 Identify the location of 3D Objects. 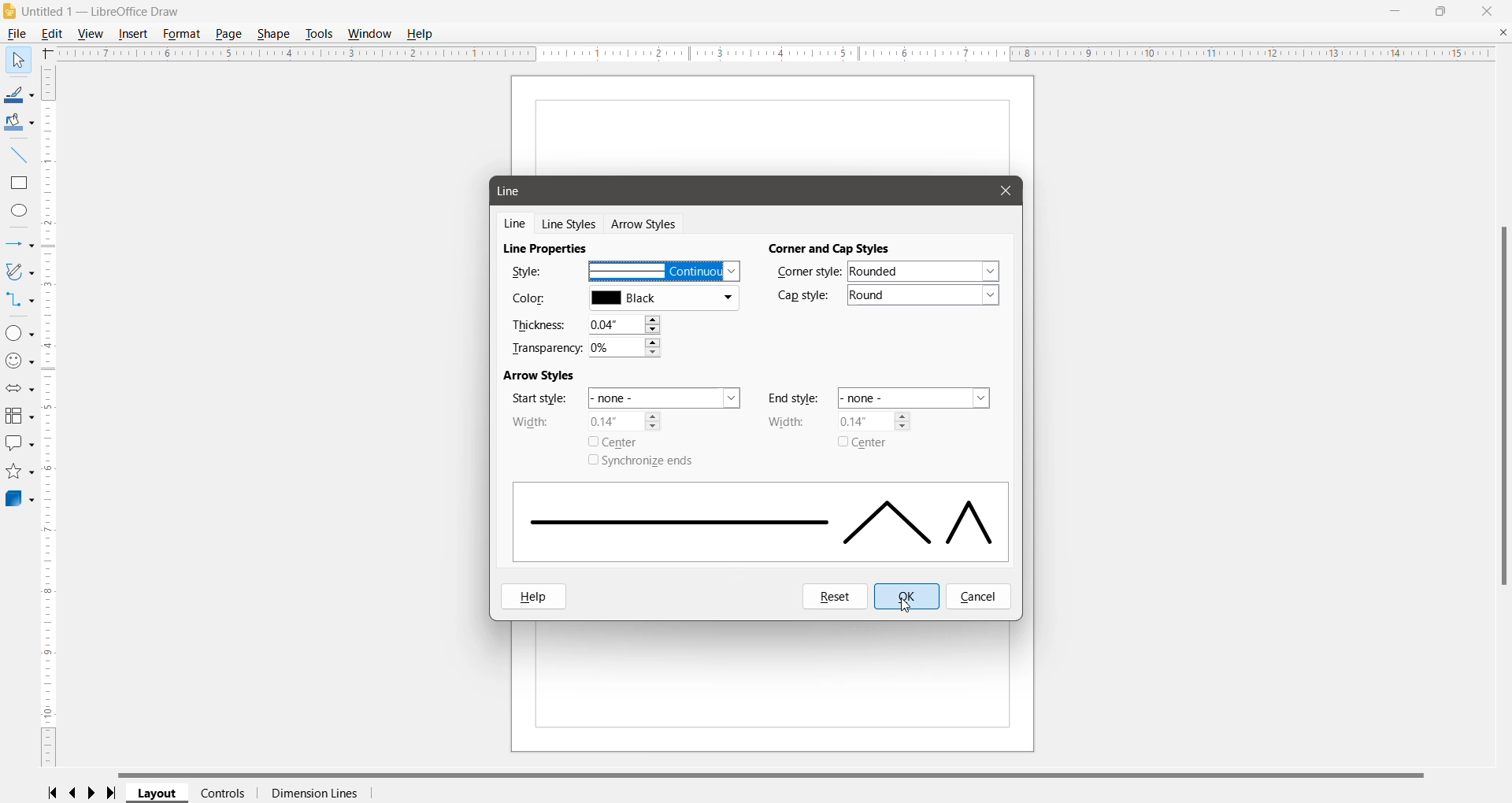
(20, 498).